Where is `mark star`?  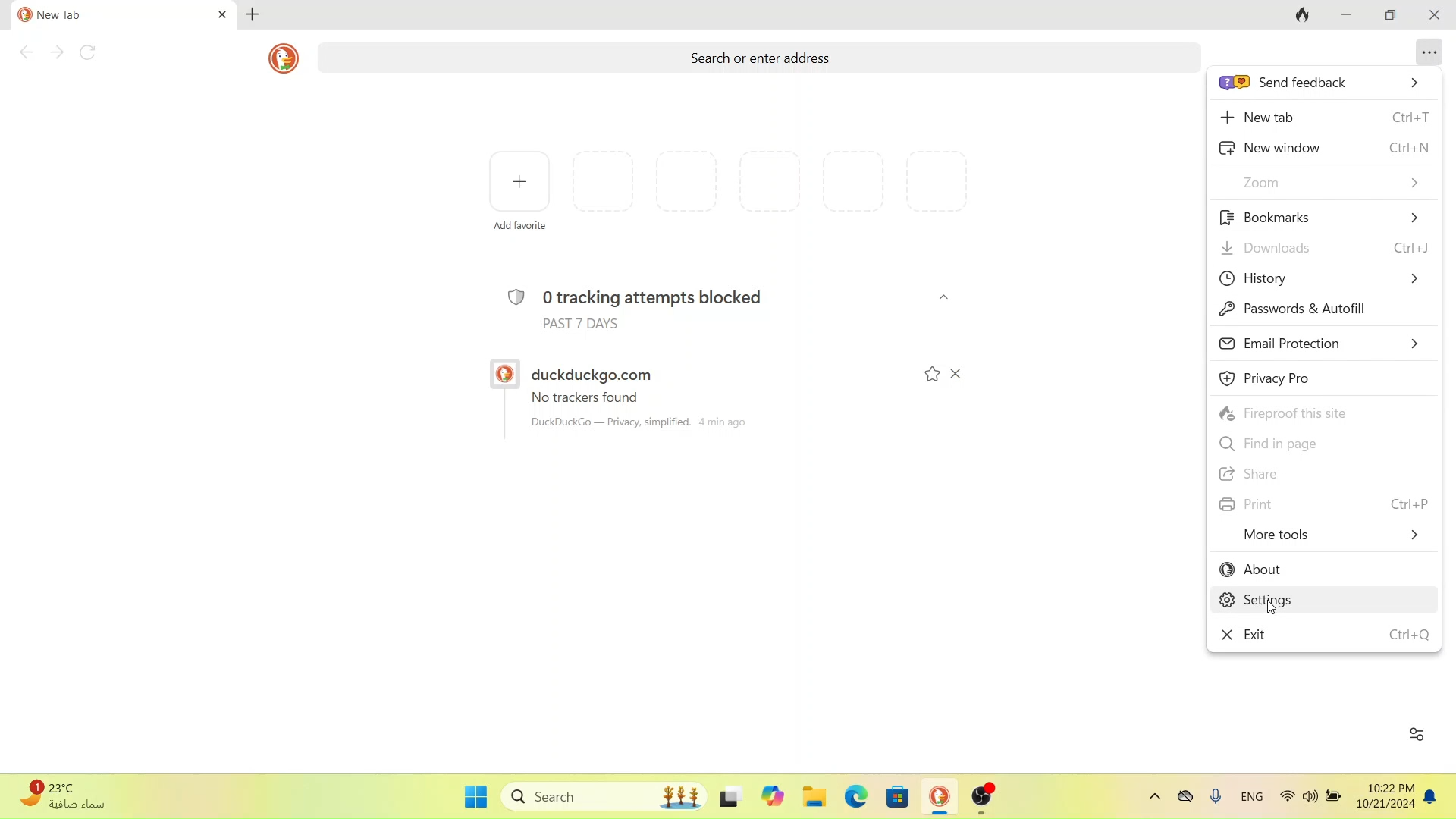 mark star is located at coordinates (931, 375).